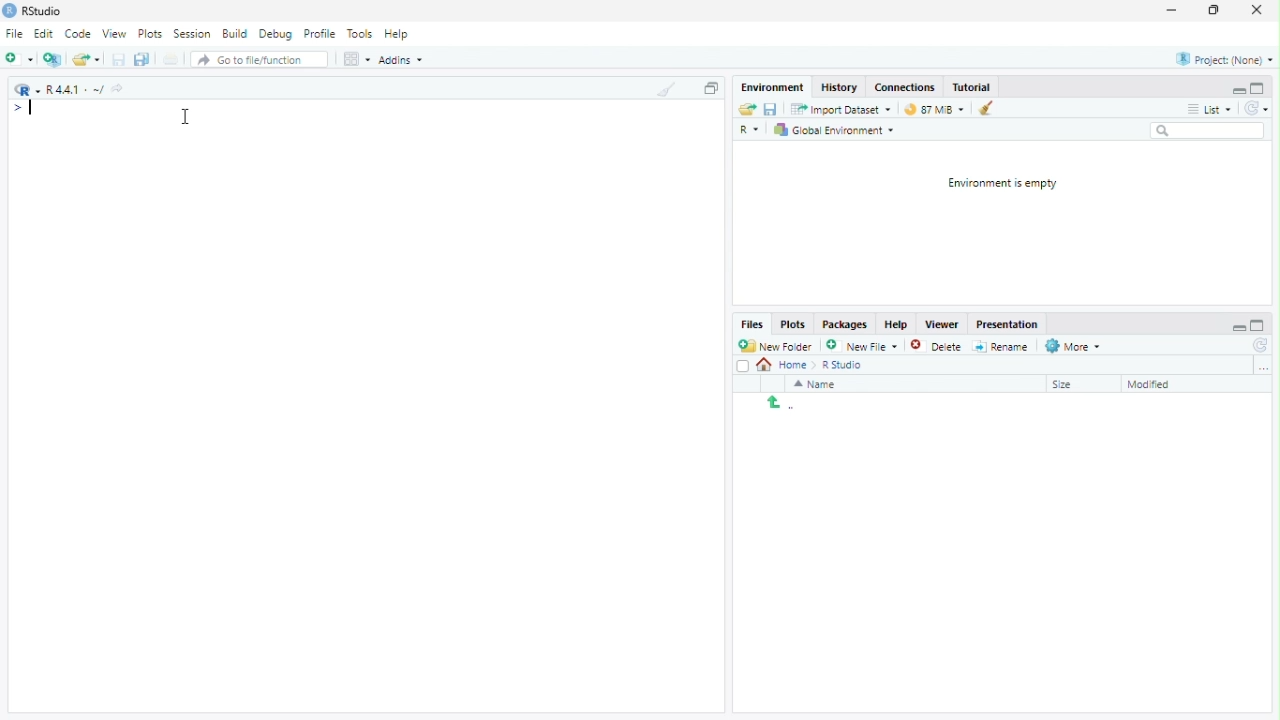 The width and height of the screenshot is (1280, 720). What do you see at coordinates (78, 33) in the screenshot?
I see `Code` at bounding box center [78, 33].